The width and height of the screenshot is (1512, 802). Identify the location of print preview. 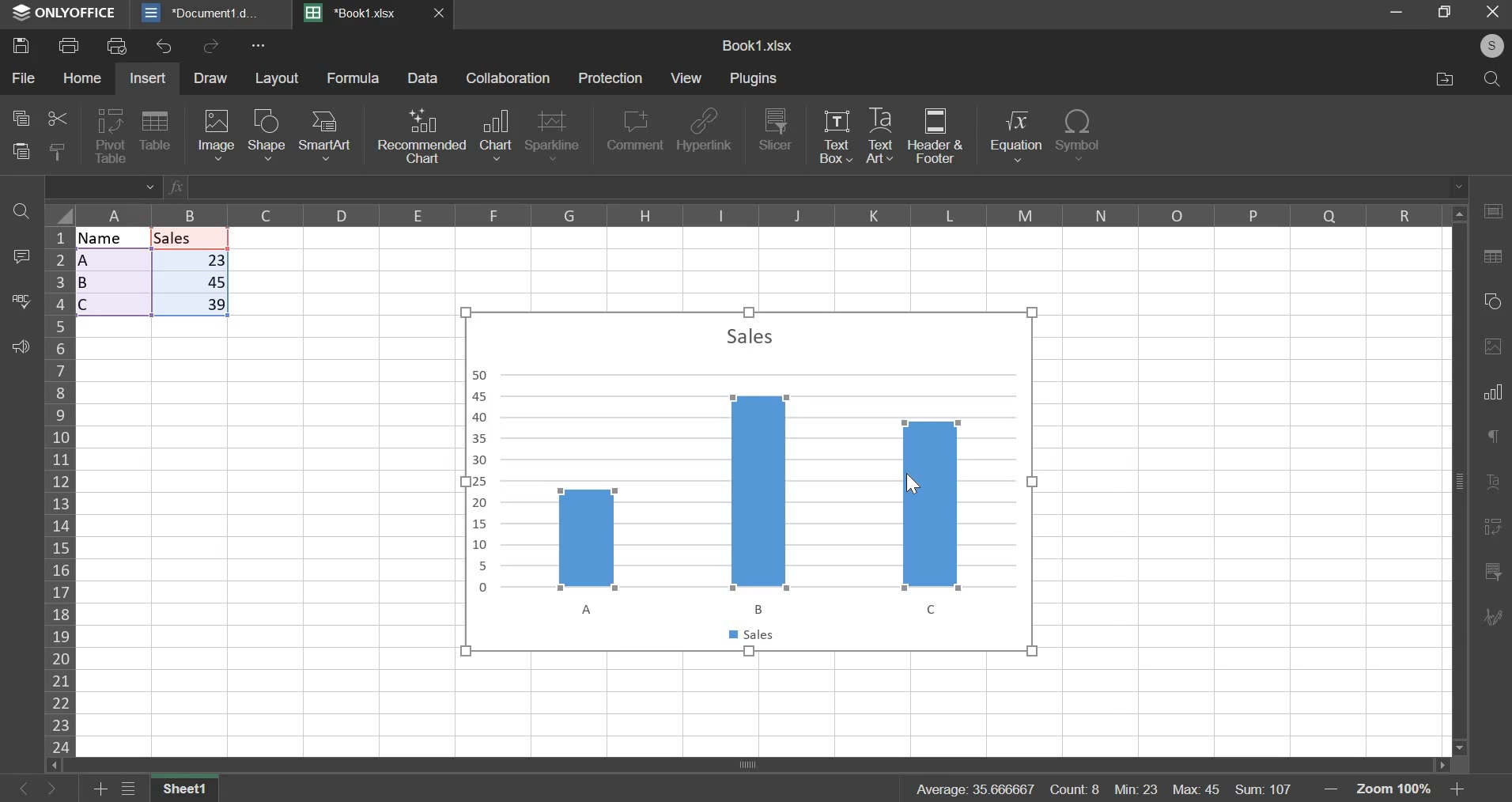
(117, 47).